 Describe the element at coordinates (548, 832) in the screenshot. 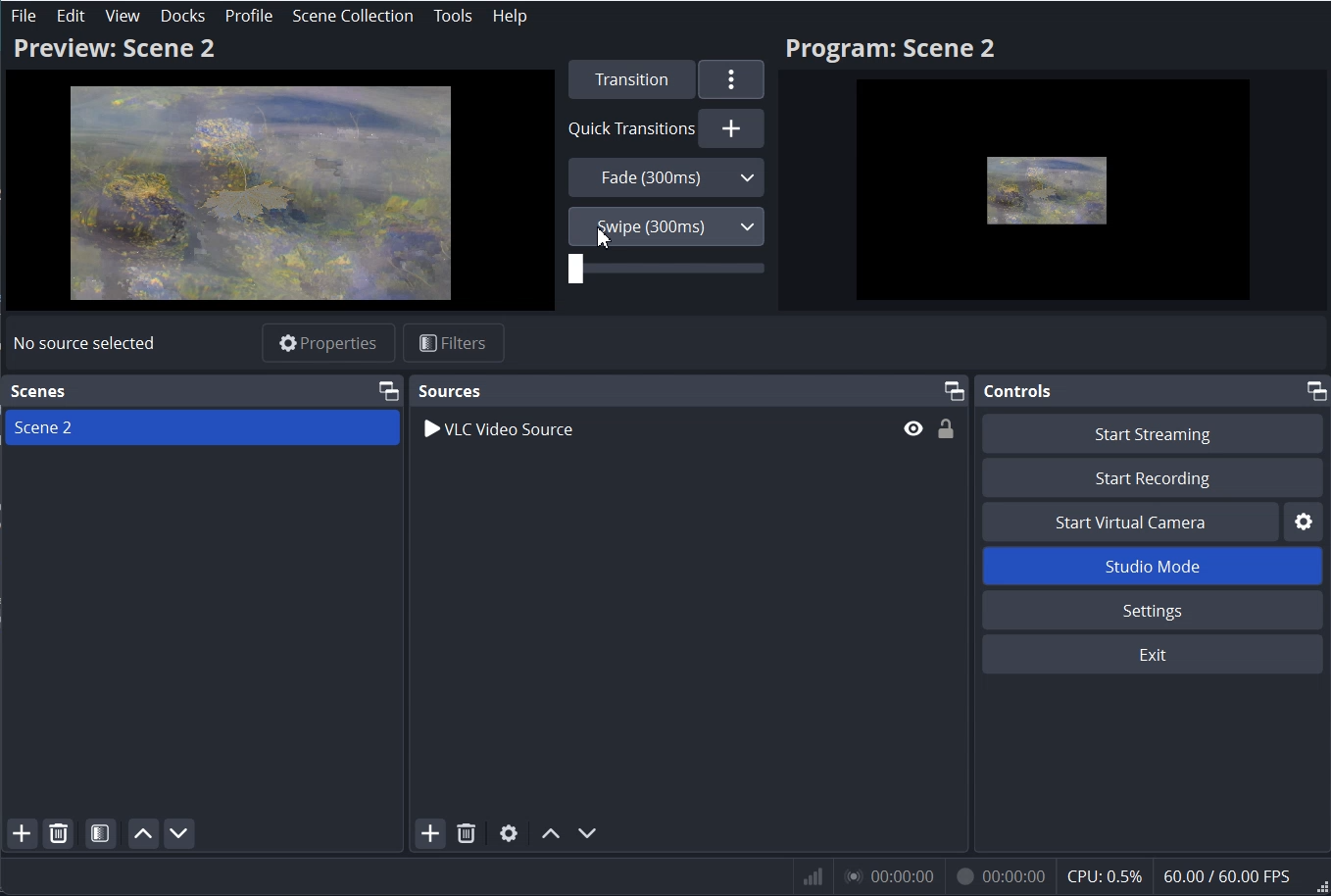

I see `Move Source Up` at that location.